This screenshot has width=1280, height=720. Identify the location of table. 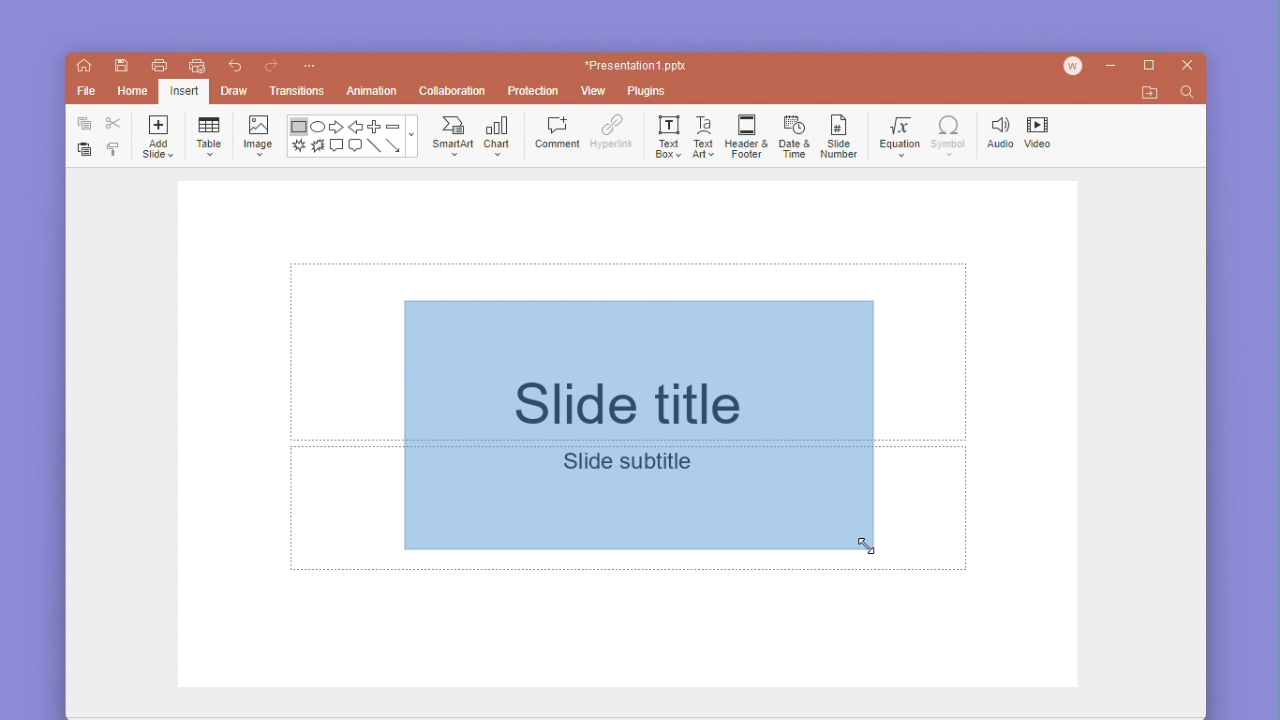
(210, 134).